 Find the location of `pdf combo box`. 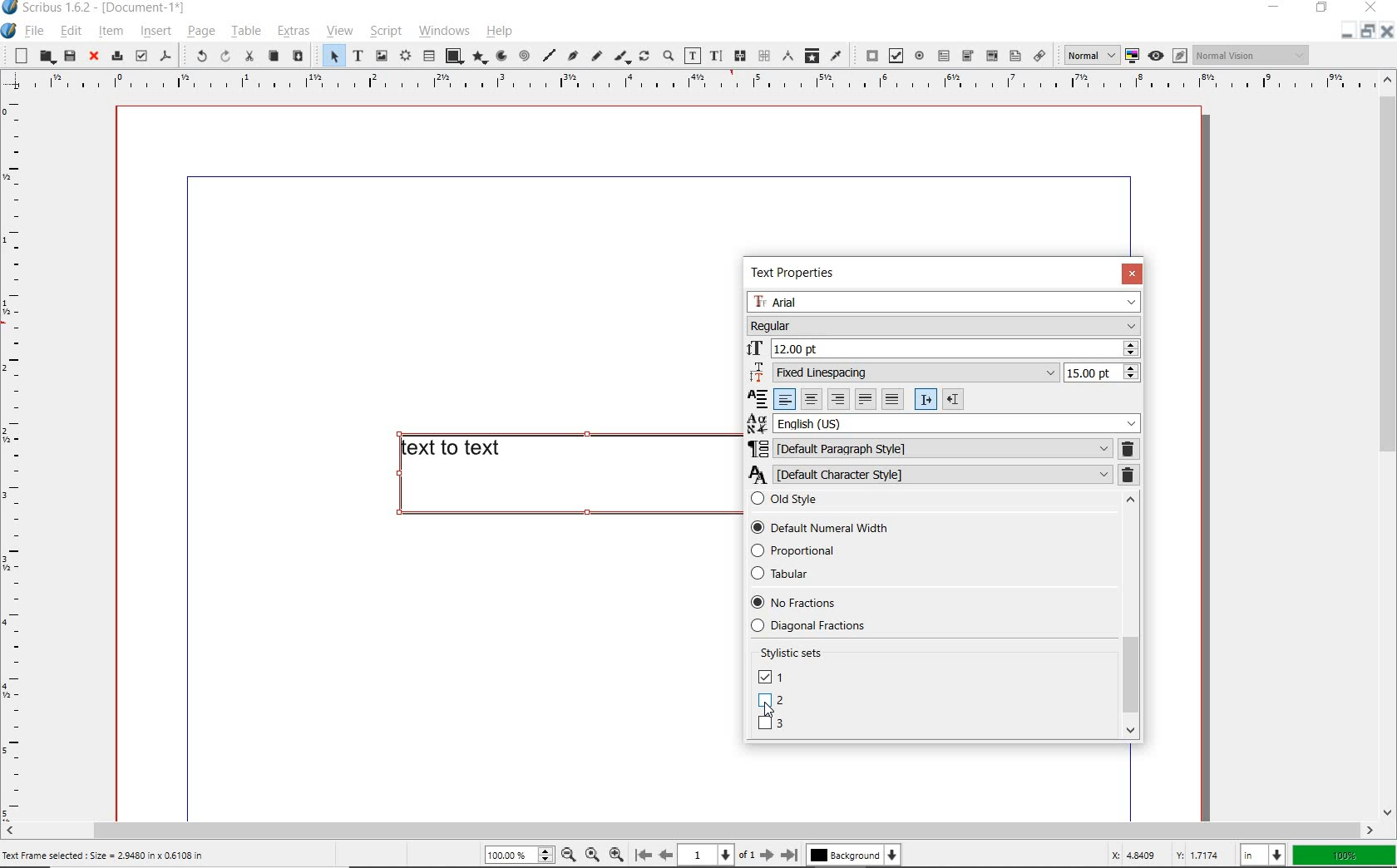

pdf combo box is located at coordinates (967, 56).